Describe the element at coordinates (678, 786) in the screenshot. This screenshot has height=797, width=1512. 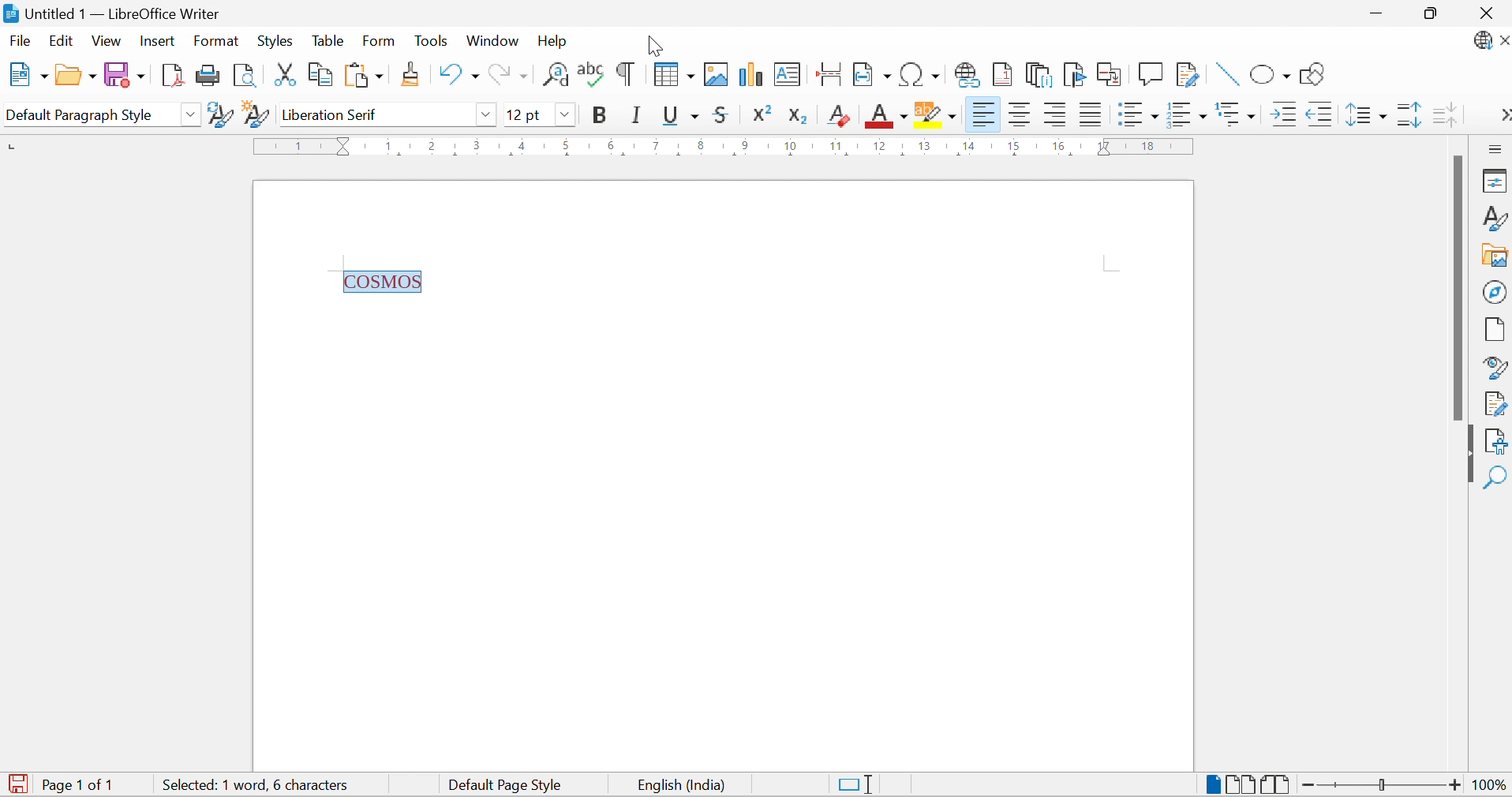
I see `English (India)` at that location.